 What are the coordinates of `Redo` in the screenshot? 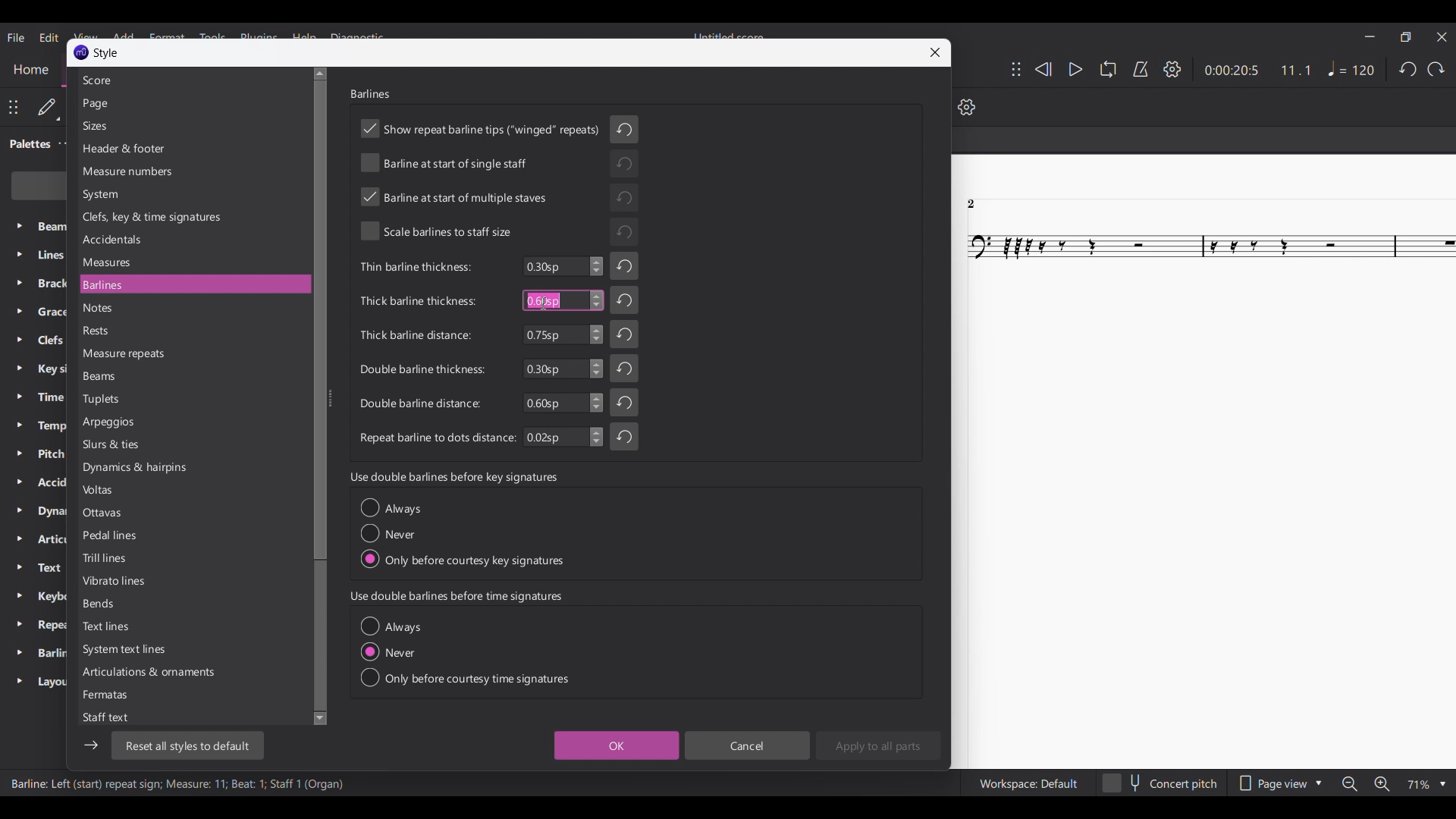 It's located at (1436, 69).